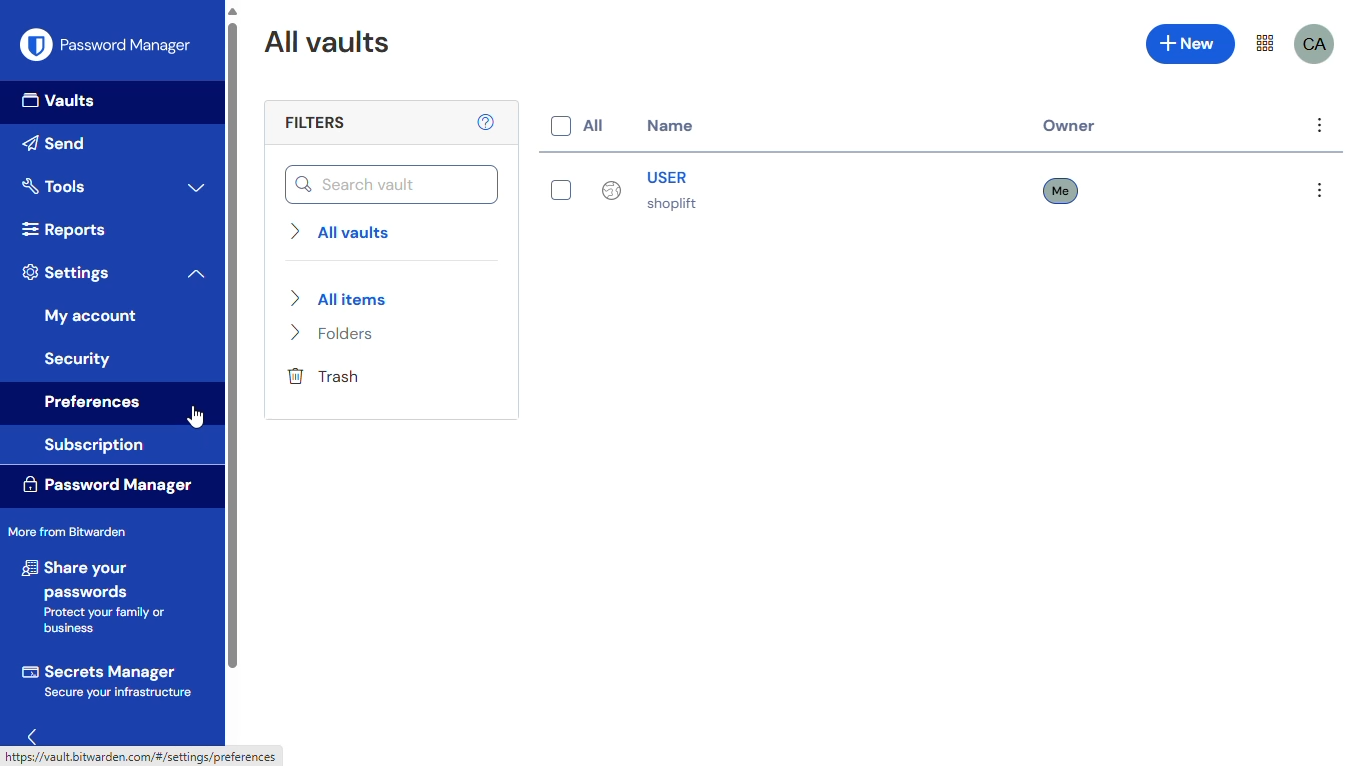  What do you see at coordinates (487, 121) in the screenshot?
I see `learn more about searching your vault` at bounding box center [487, 121].